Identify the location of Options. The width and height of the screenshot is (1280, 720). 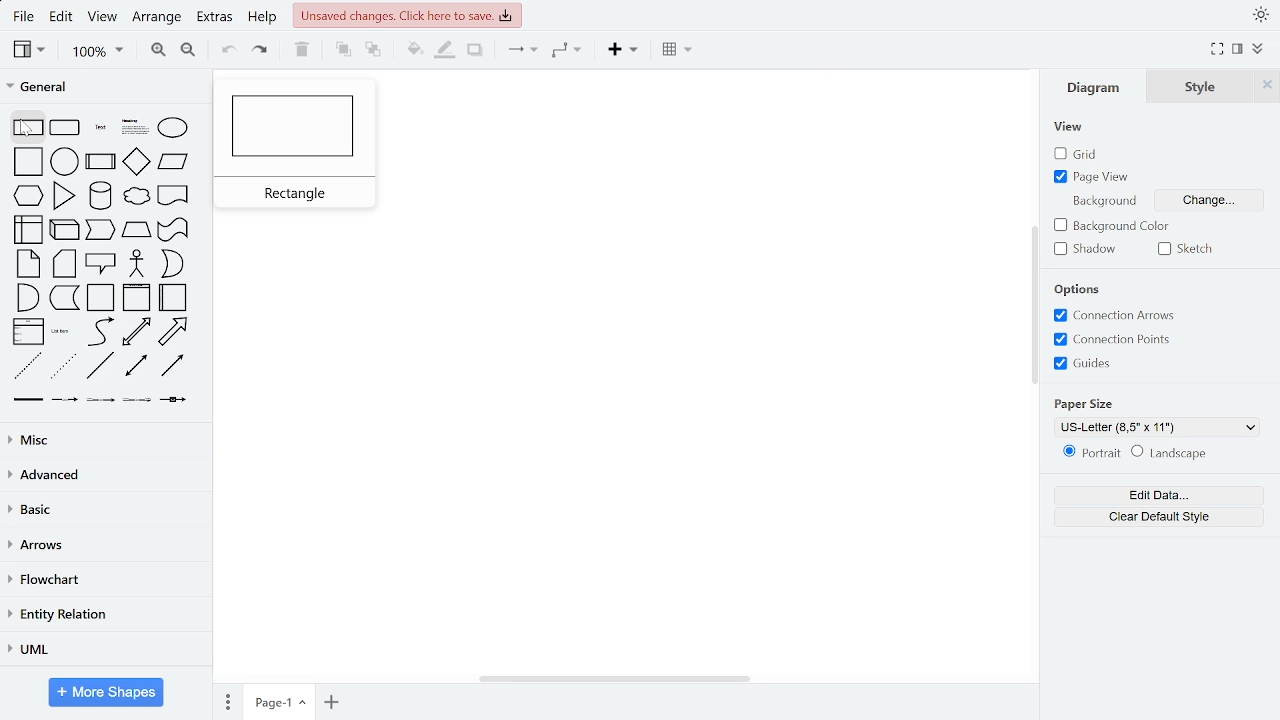
(1087, 286).